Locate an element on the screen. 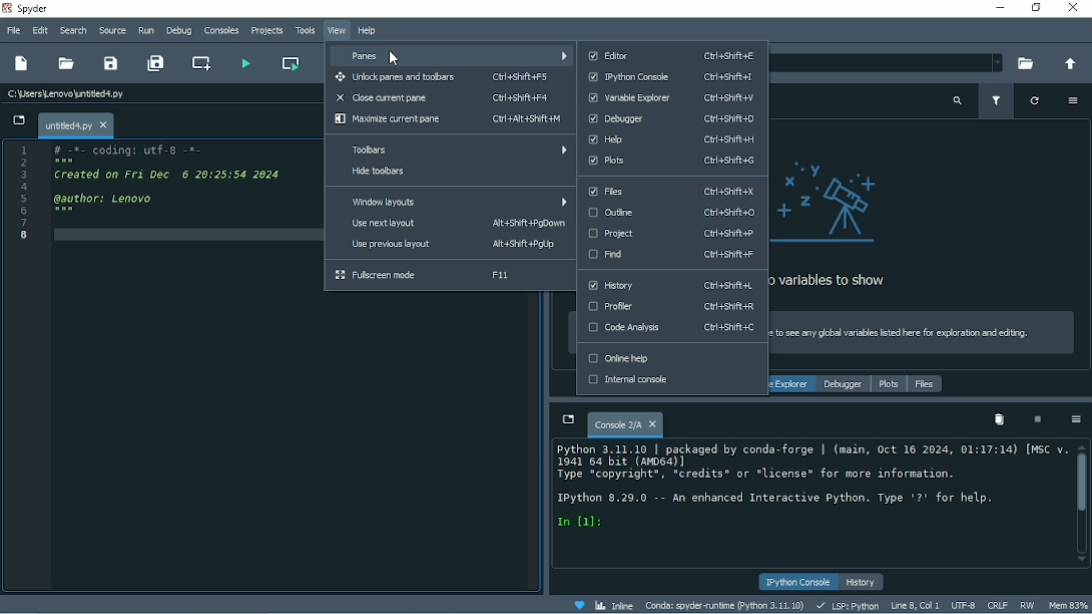 This screenshot has height=614, width=1092. Run is located at coordinates (147, 30).